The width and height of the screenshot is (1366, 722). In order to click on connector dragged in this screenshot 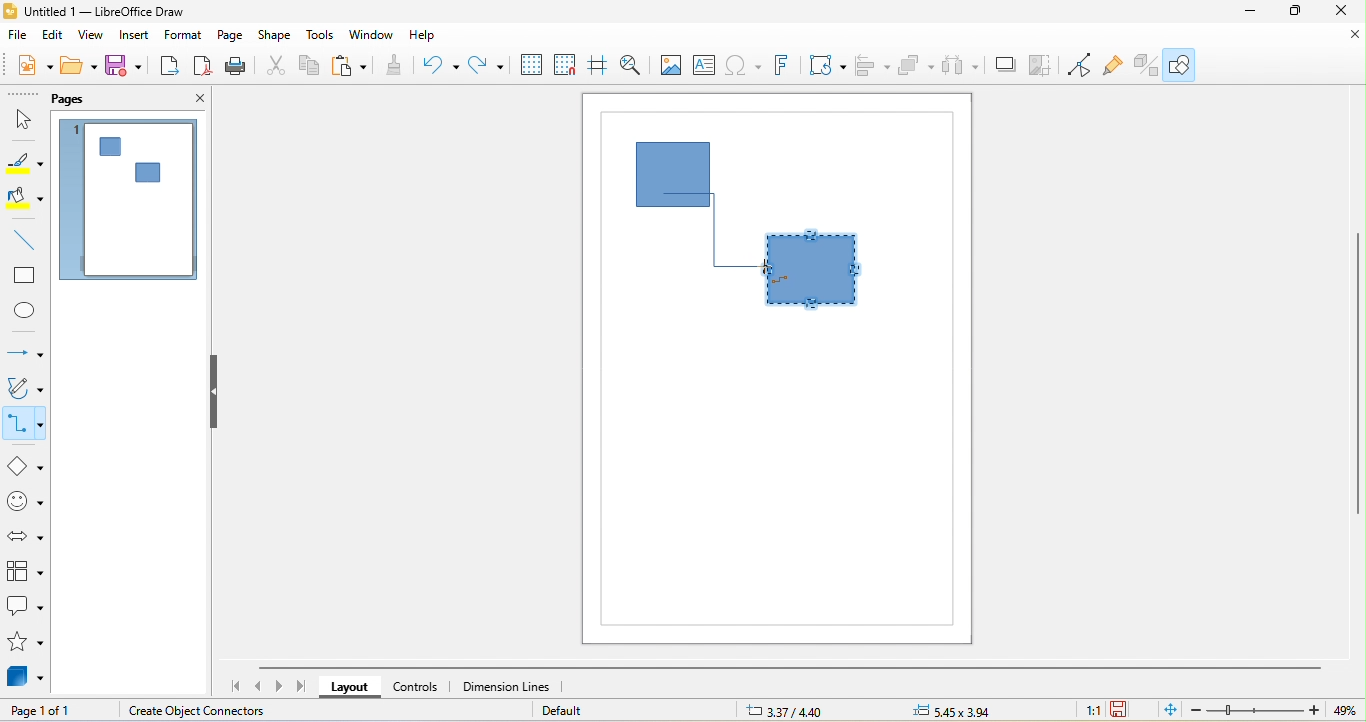, I will do `click(716, 232)`.